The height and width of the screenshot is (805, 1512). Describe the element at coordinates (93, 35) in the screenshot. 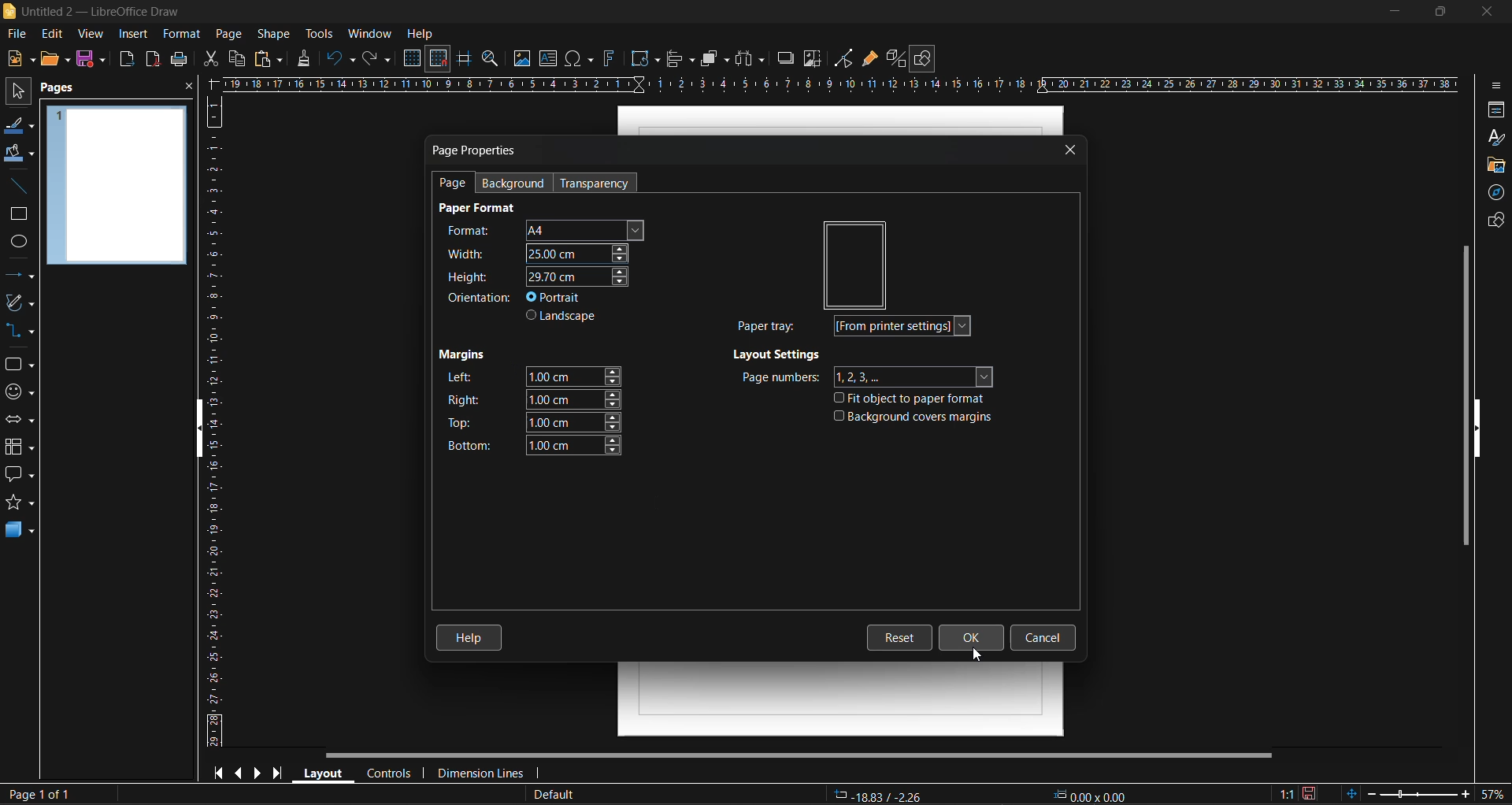

I see `view` at that location.